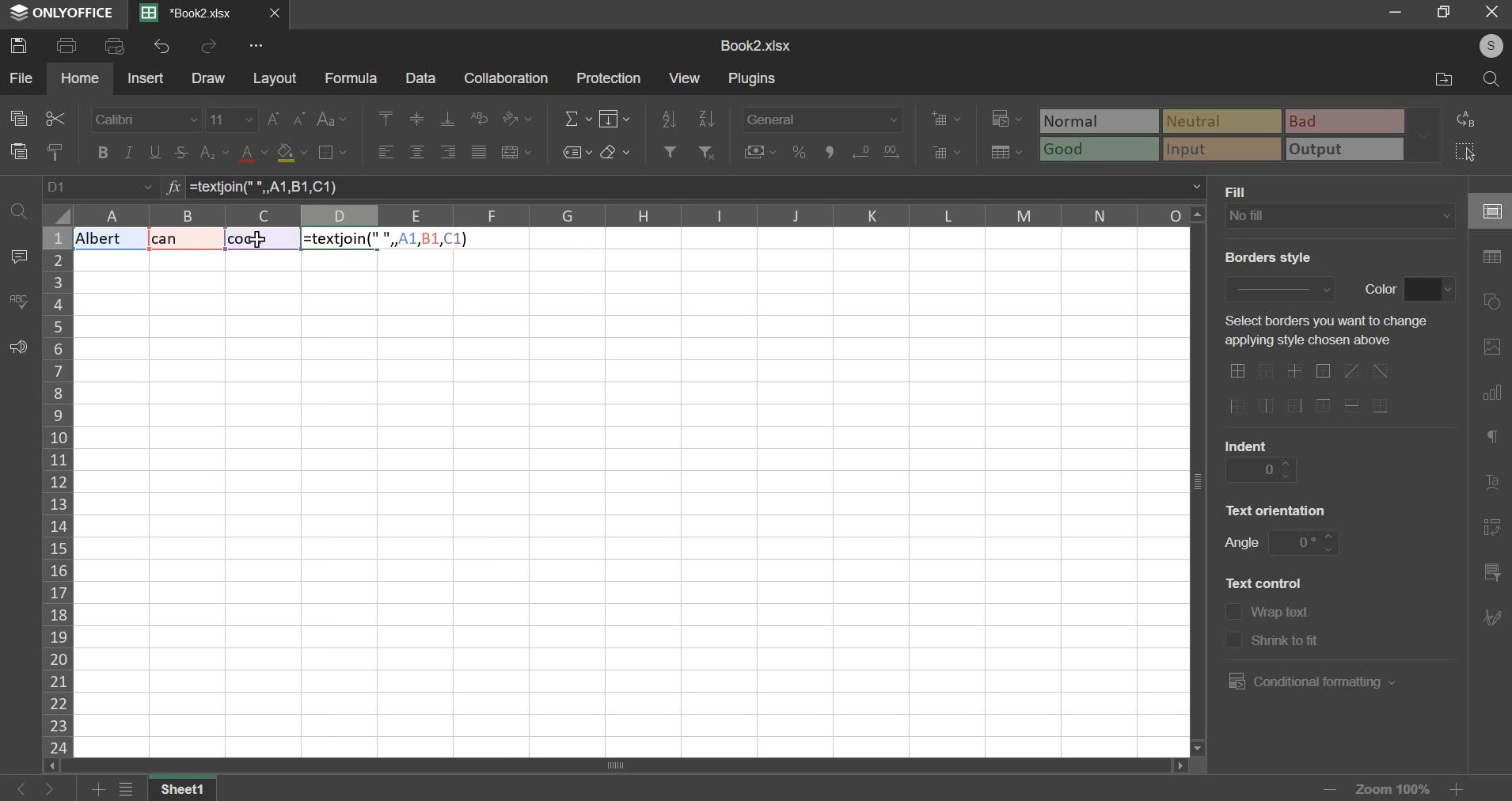  I want to click on clear, so click(615, 152).